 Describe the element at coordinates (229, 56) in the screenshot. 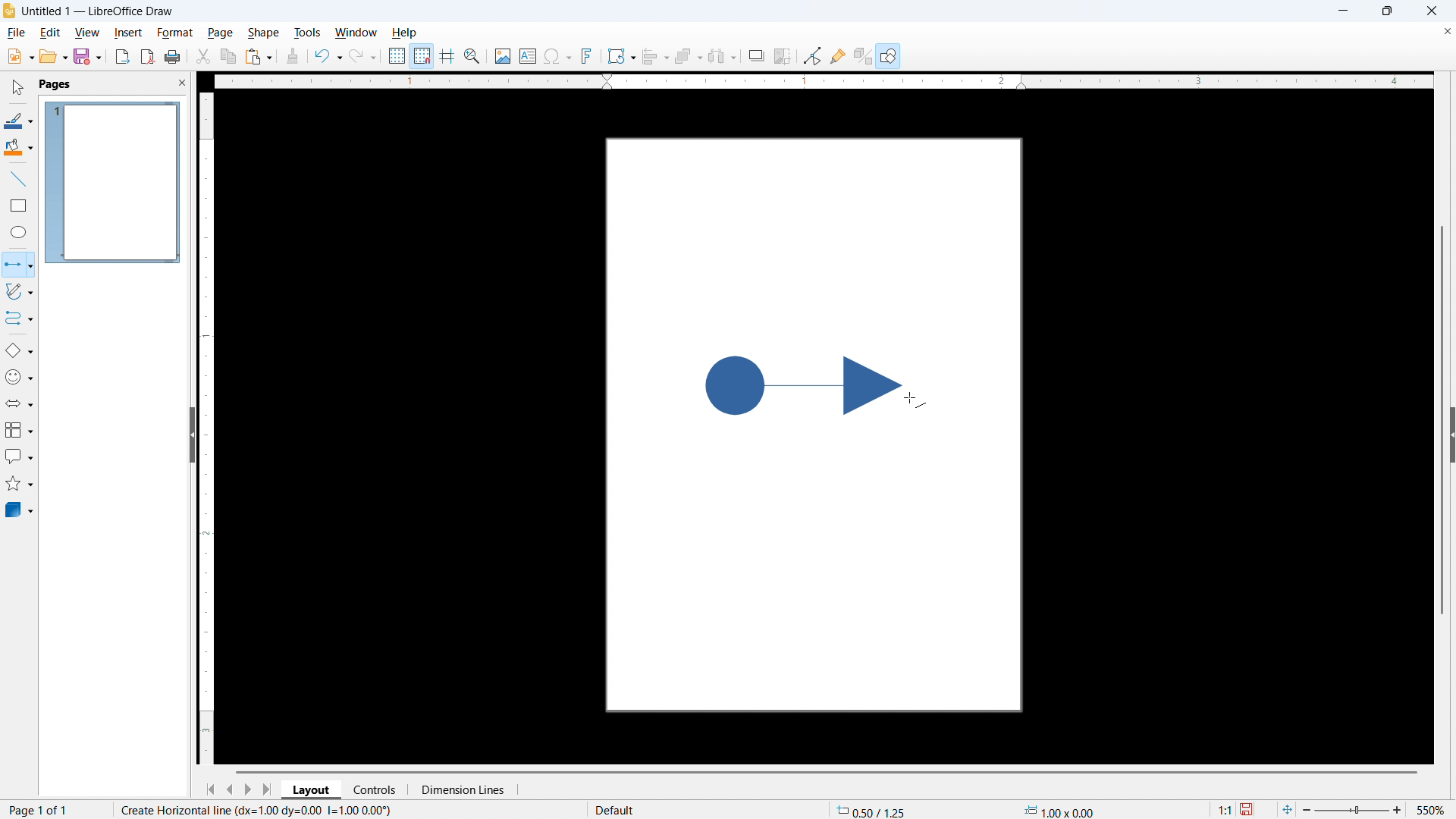

I see `Copy ` at that location.